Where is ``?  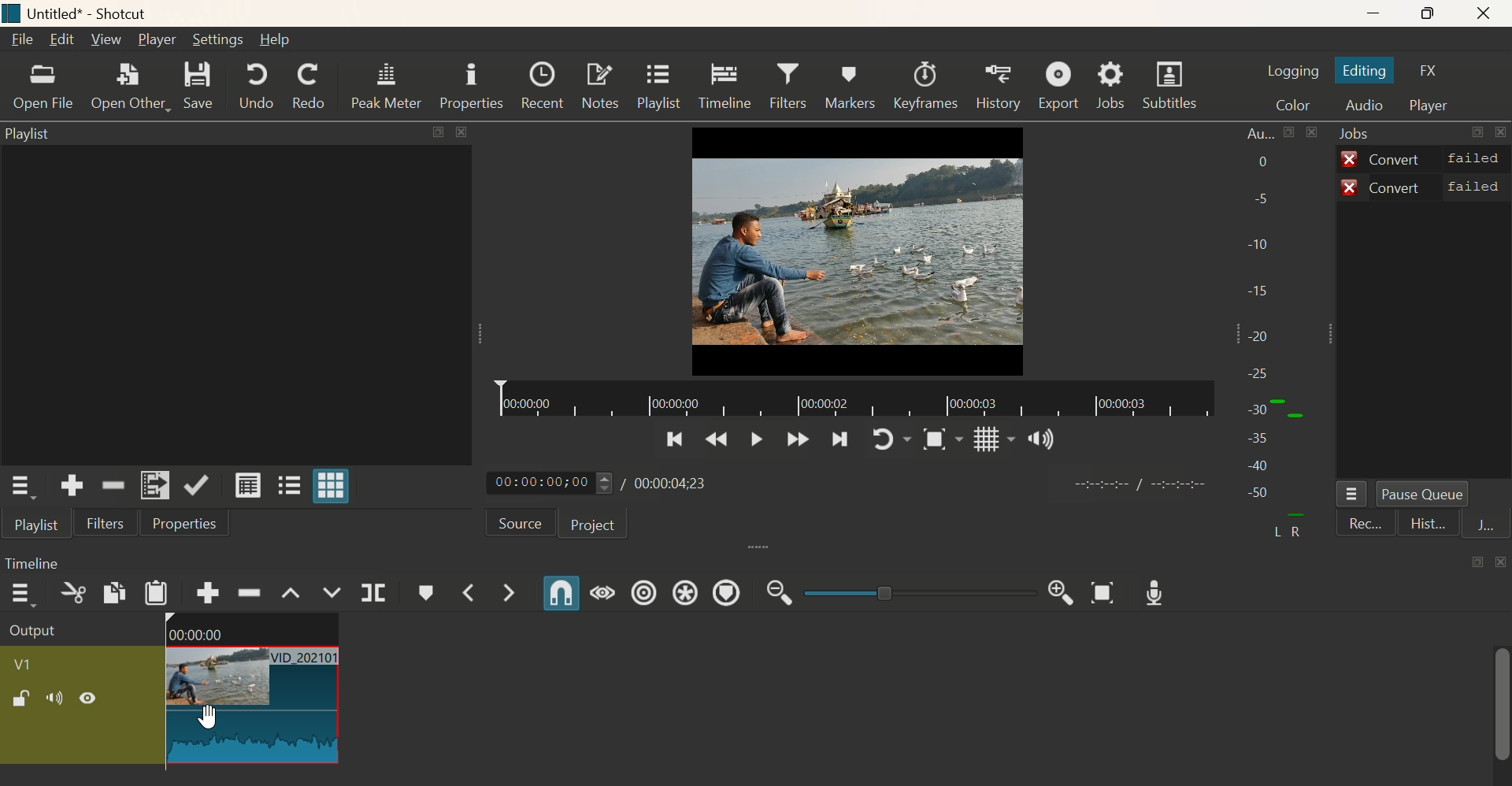  is located at coordinates (103, 525).